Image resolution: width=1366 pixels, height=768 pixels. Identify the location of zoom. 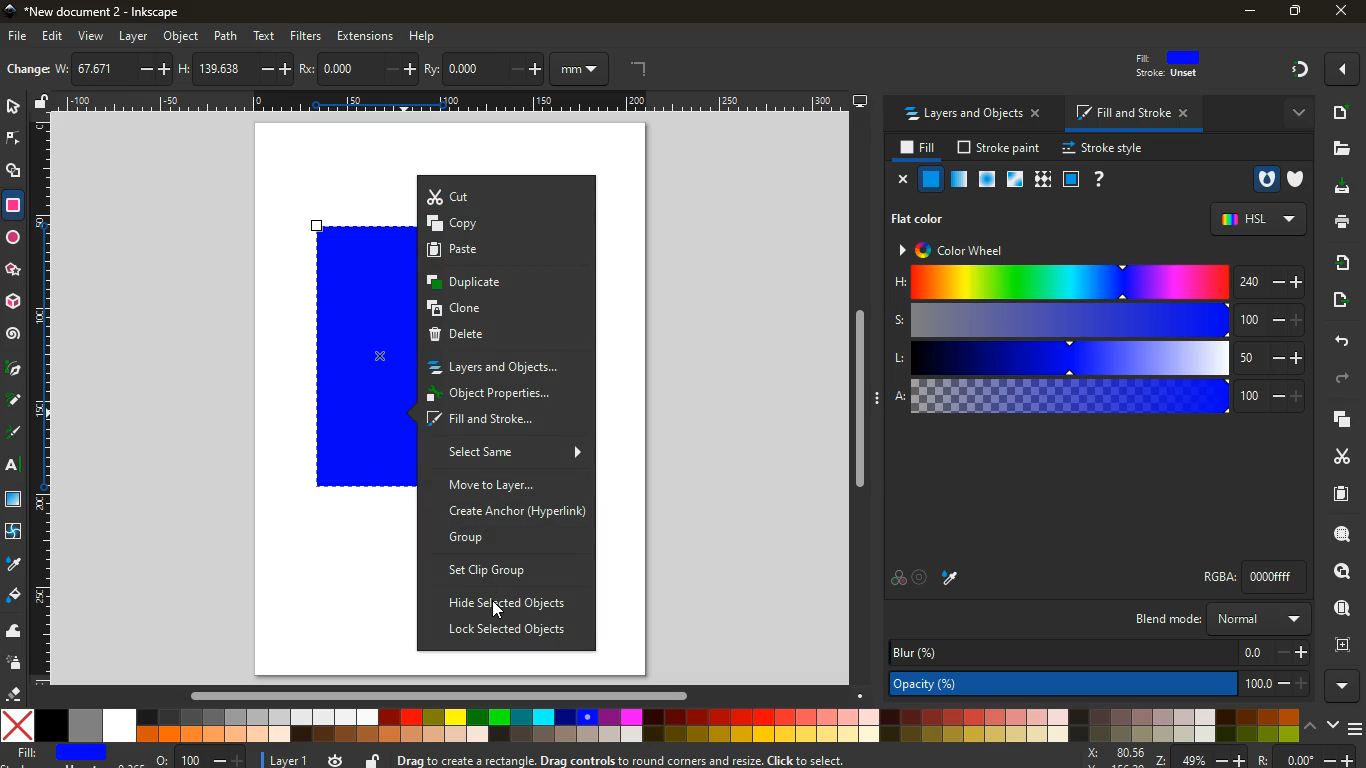
(1220, 756).